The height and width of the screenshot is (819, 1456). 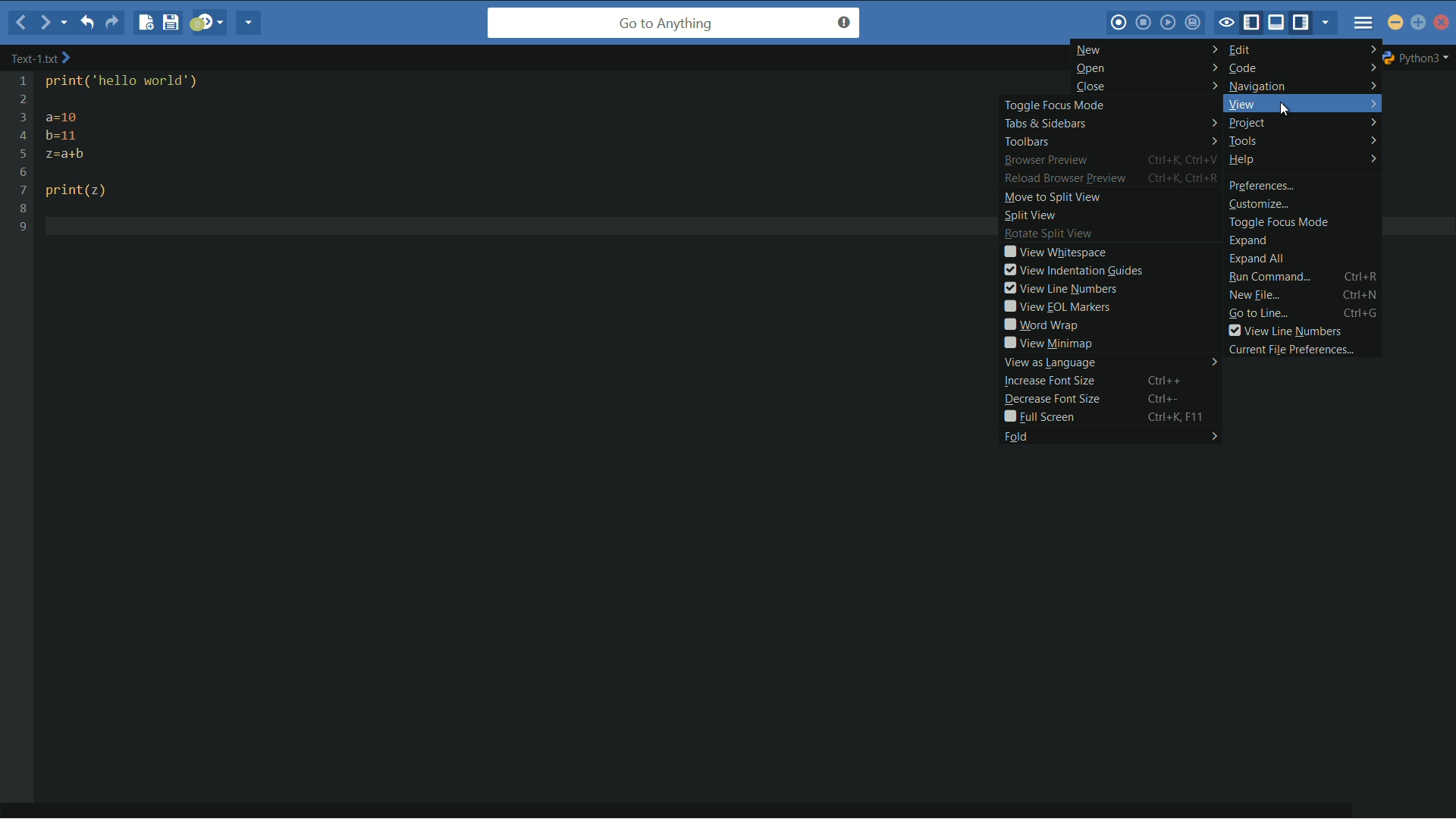 What do you see at coordinates (251, 24) in the screenshot?
I see `share current file` at bounding box center [251, 24].